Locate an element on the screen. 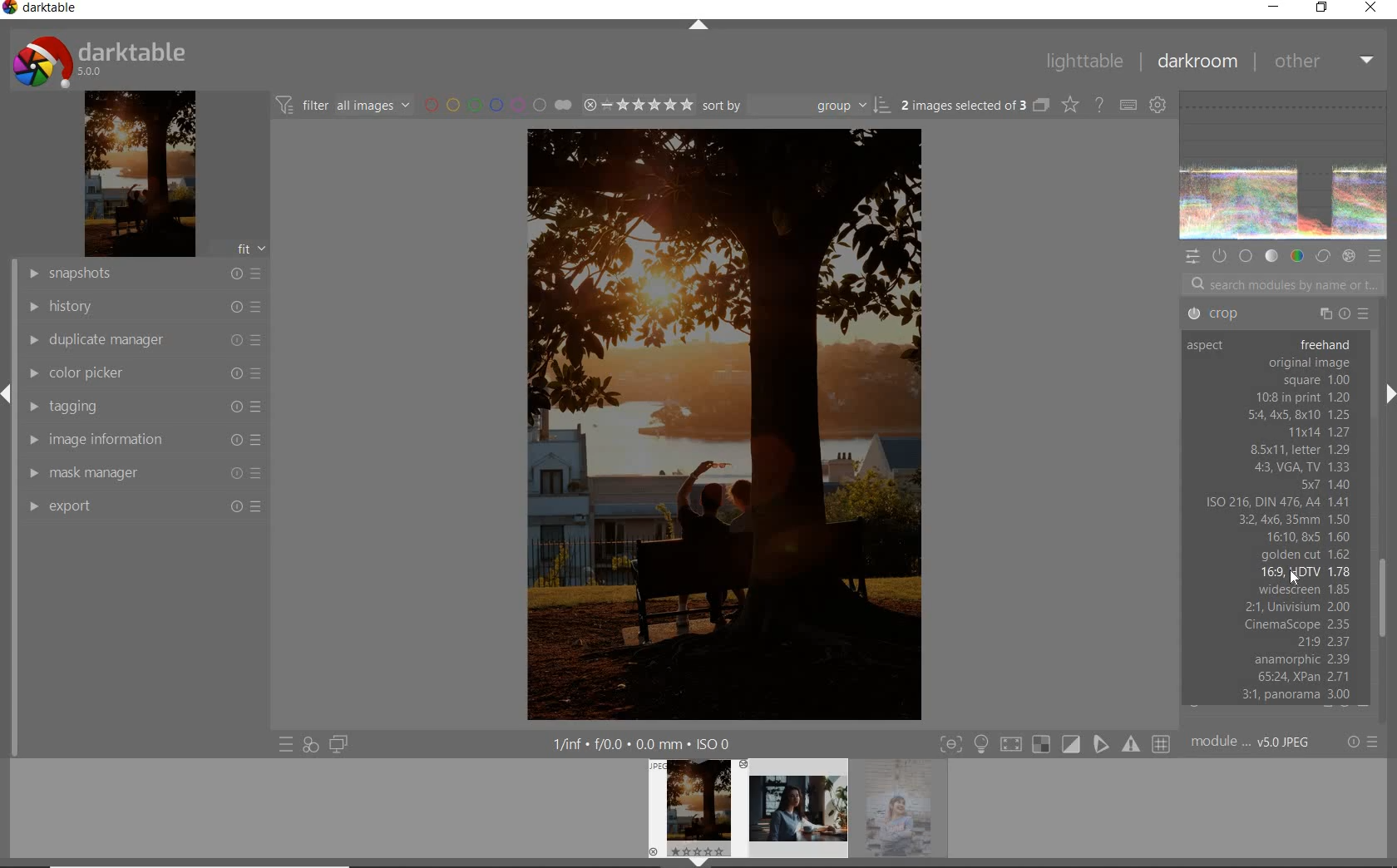  ORIGINAL IMAGE is located at coordinates (1308, 362).